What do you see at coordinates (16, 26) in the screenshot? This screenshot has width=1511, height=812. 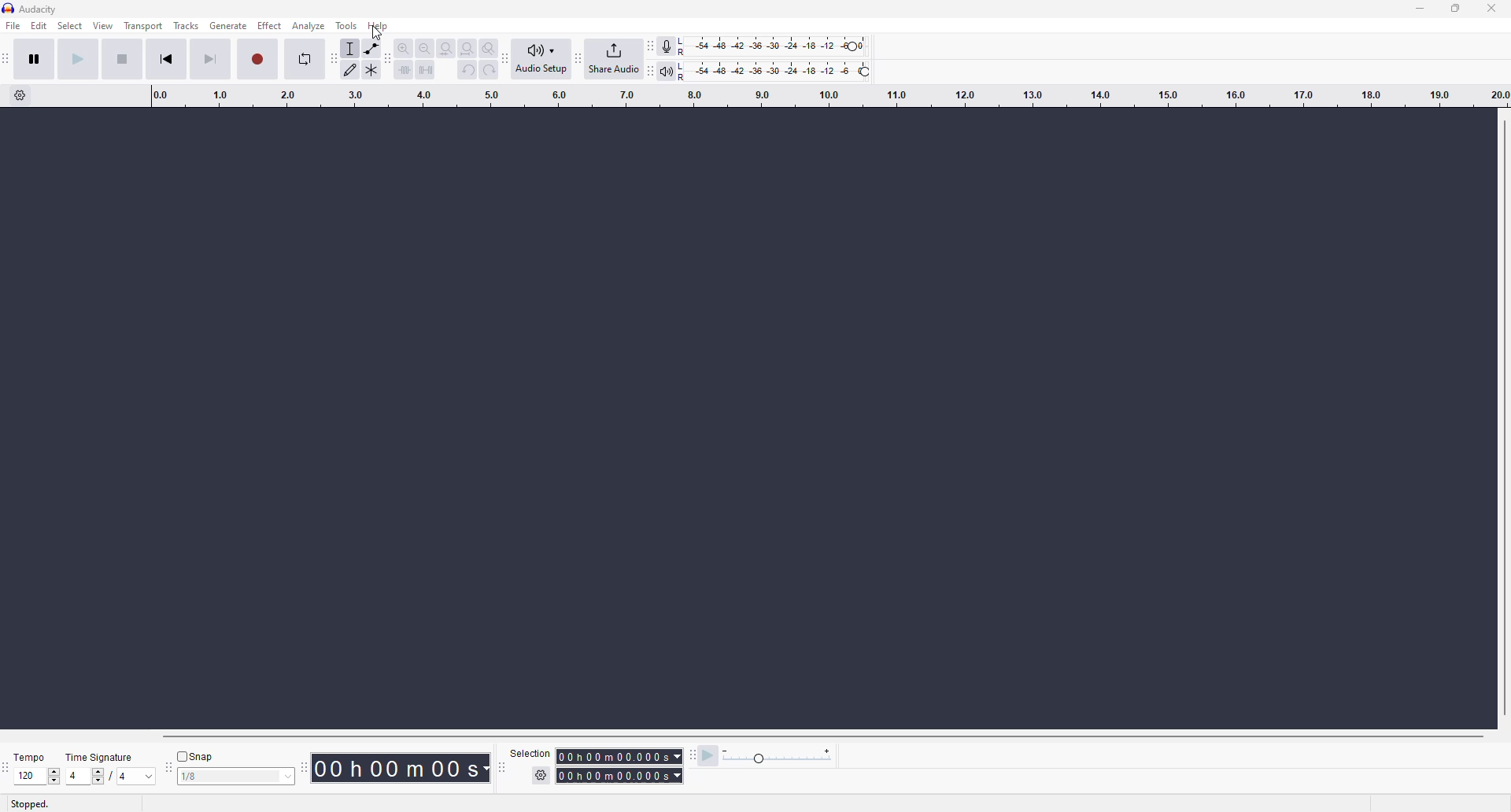 I see `file` at bounding box center [16, 26].